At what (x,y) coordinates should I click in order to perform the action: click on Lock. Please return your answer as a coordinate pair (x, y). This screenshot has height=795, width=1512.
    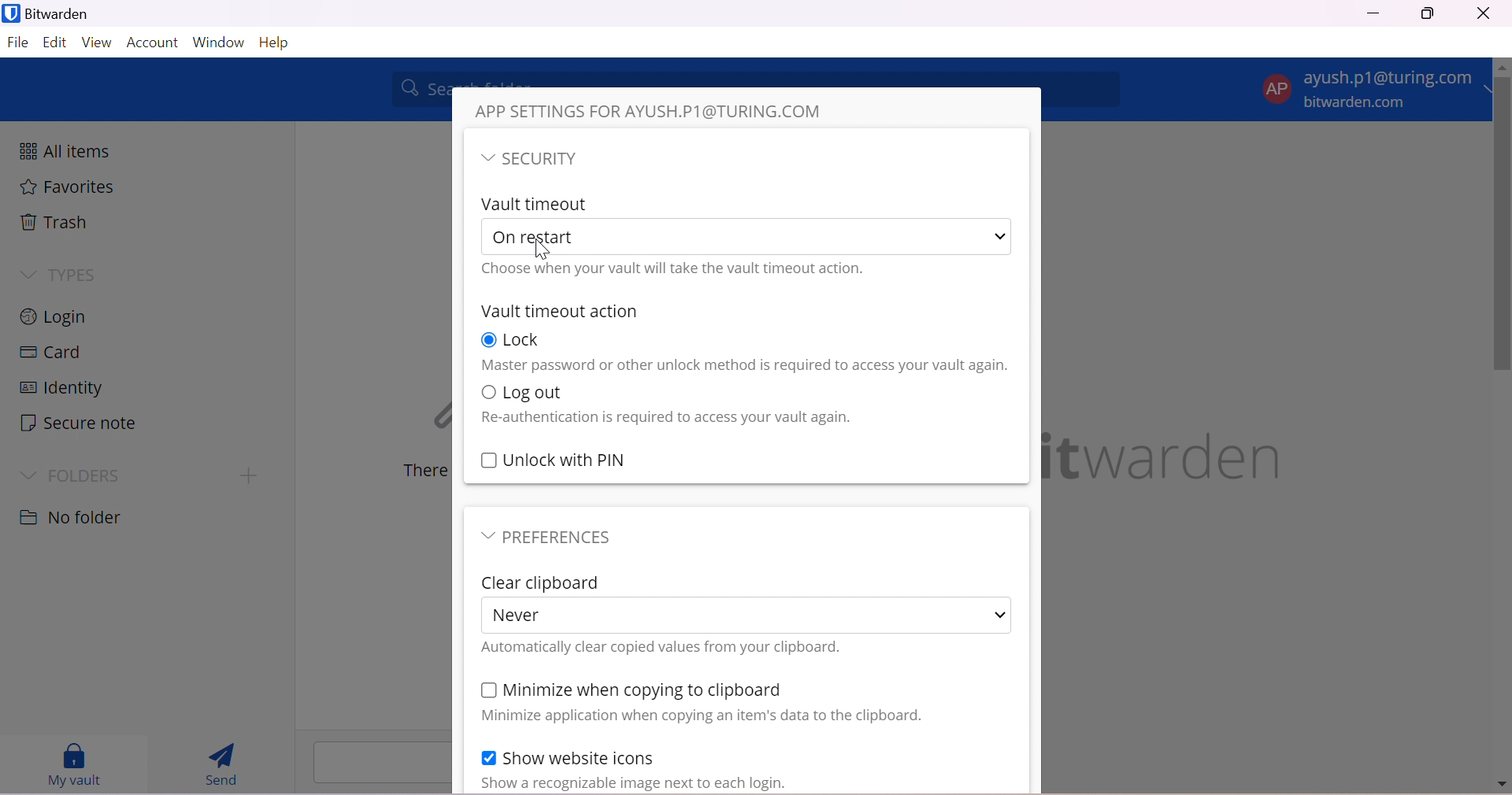
    Looking at the image, I should click on (528, 339).